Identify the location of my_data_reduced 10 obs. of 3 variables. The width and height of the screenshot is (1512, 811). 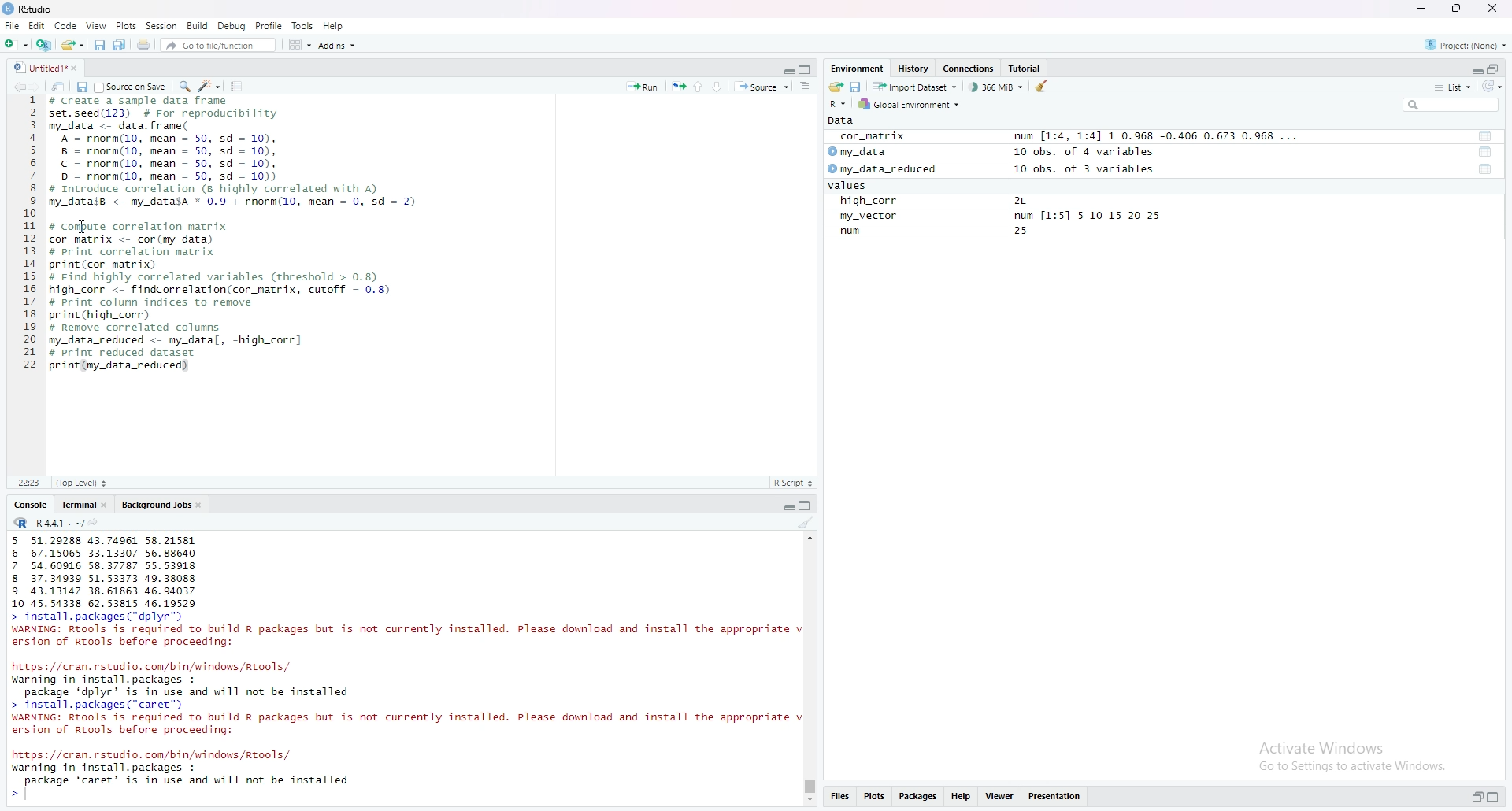
(997, 168).